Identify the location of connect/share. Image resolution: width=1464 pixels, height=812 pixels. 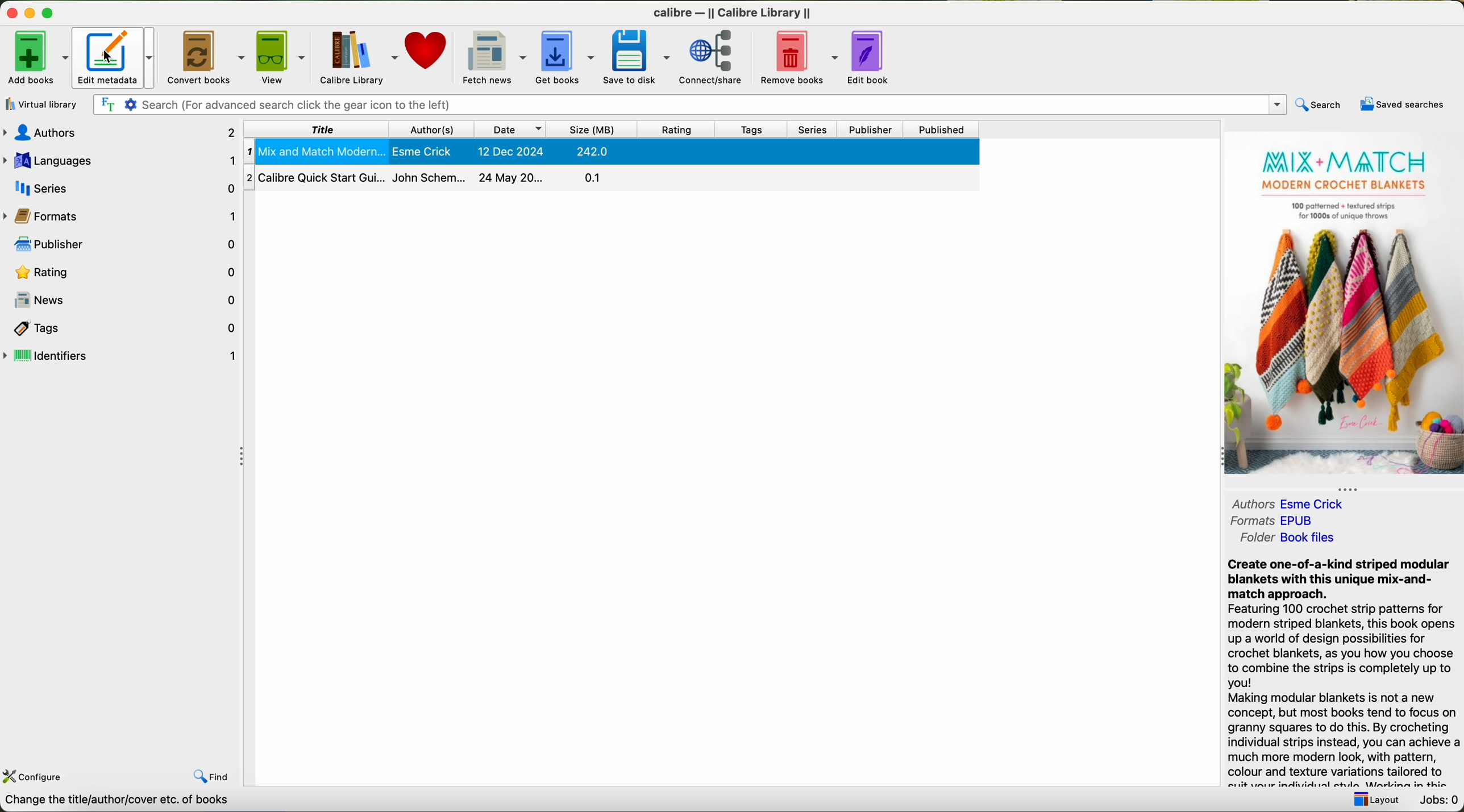
(714, 57).